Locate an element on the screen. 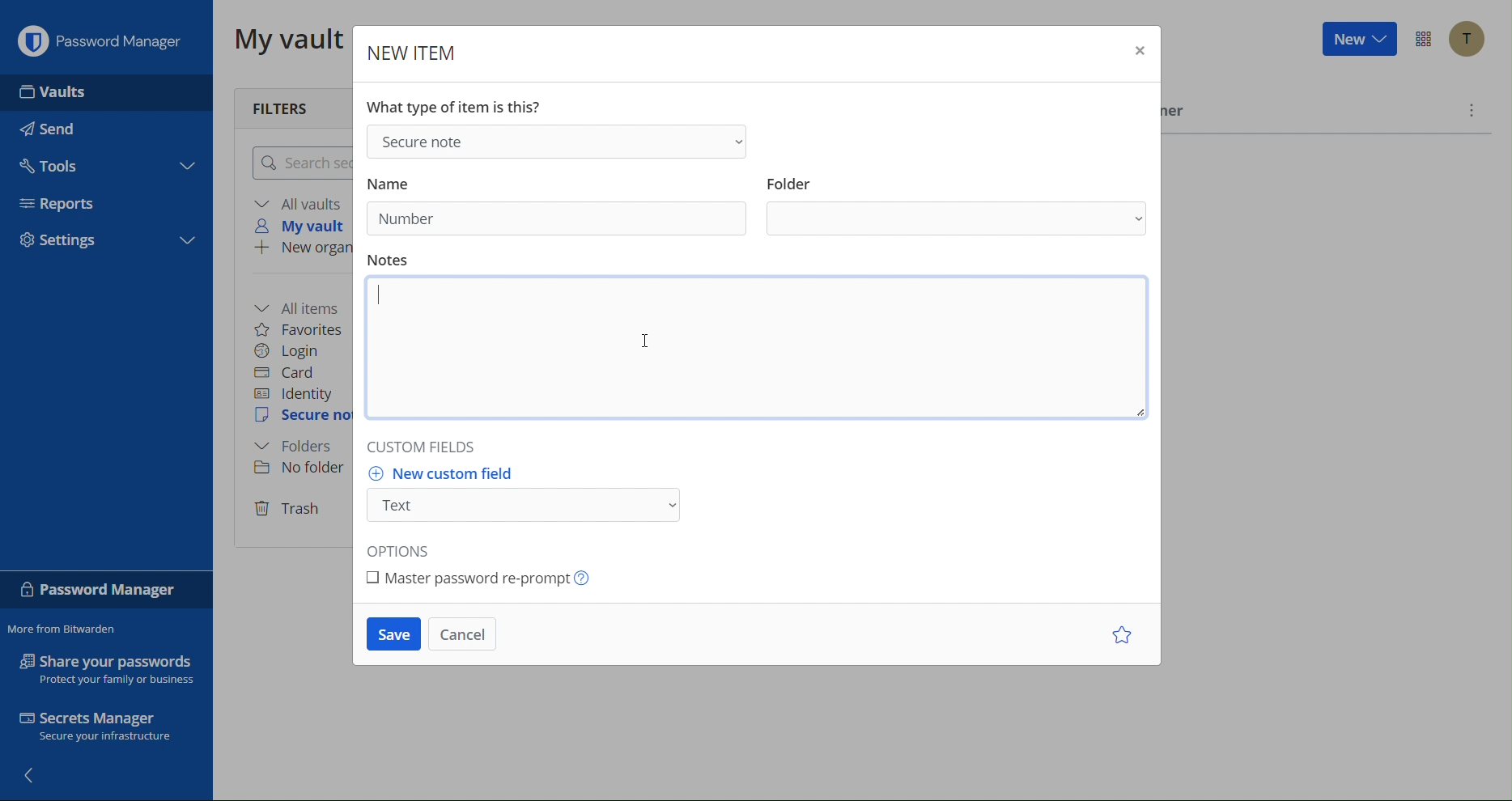 This screenshot has width=1512, height=801. Number is located at coordinates (406, 218).